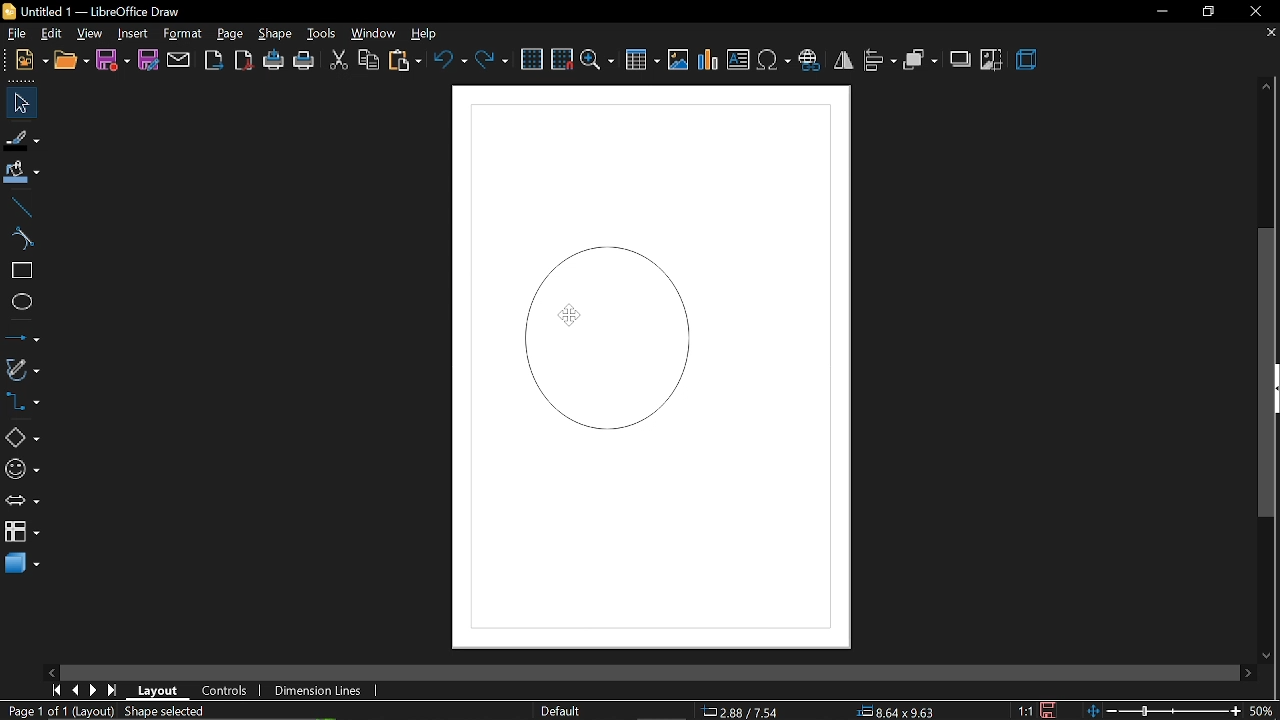 Image resolution: width=1280 pixels, height=720 pixels. What do you see at coordinates (1026, 58) in the screenshot?
I see `3d effects` at bounding box center [1026, 58].